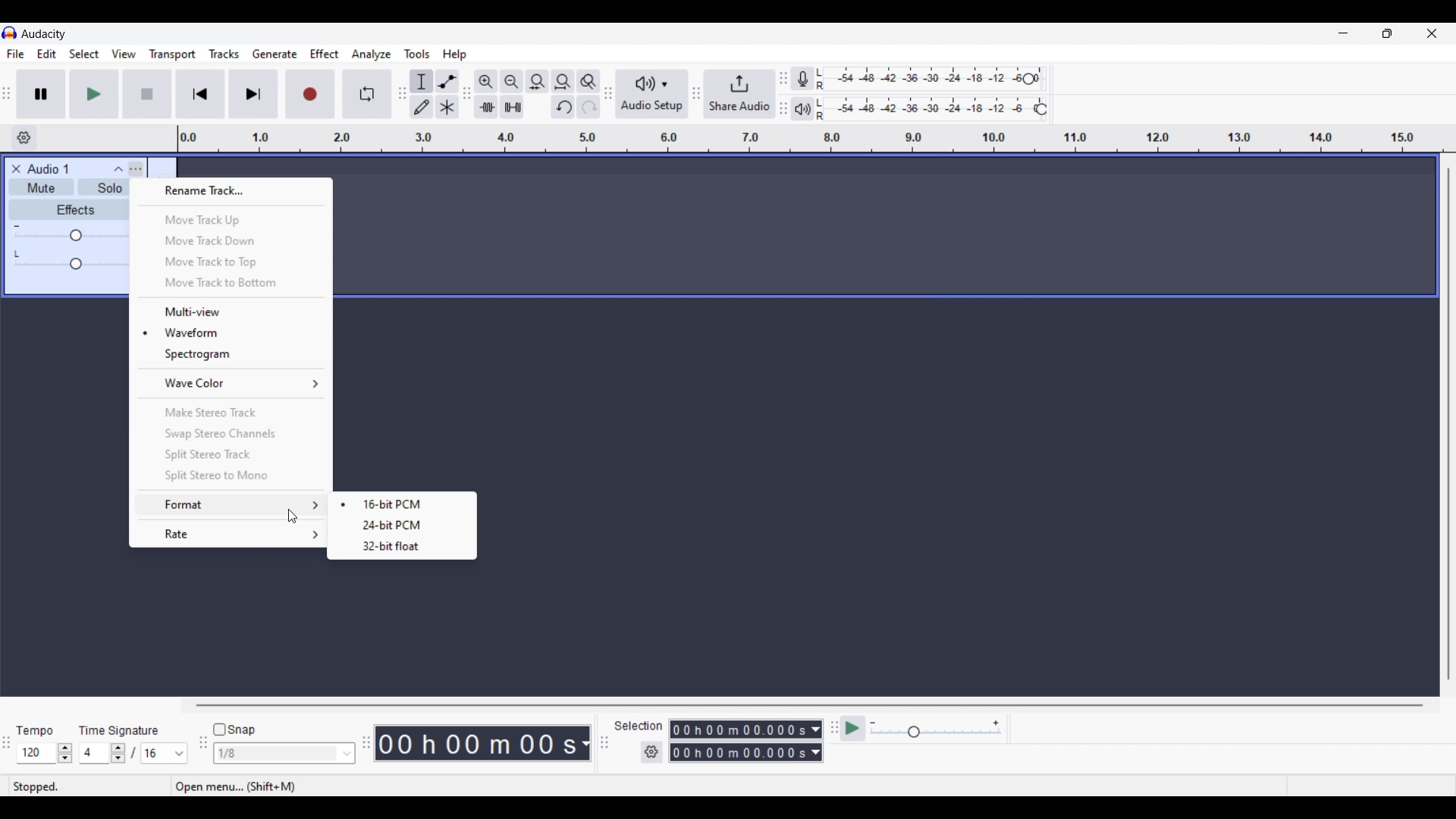 The image size is (1456, 819). Describe the element at coordinates (739, 94) in the screenshot. I see `Share audio` at that location.